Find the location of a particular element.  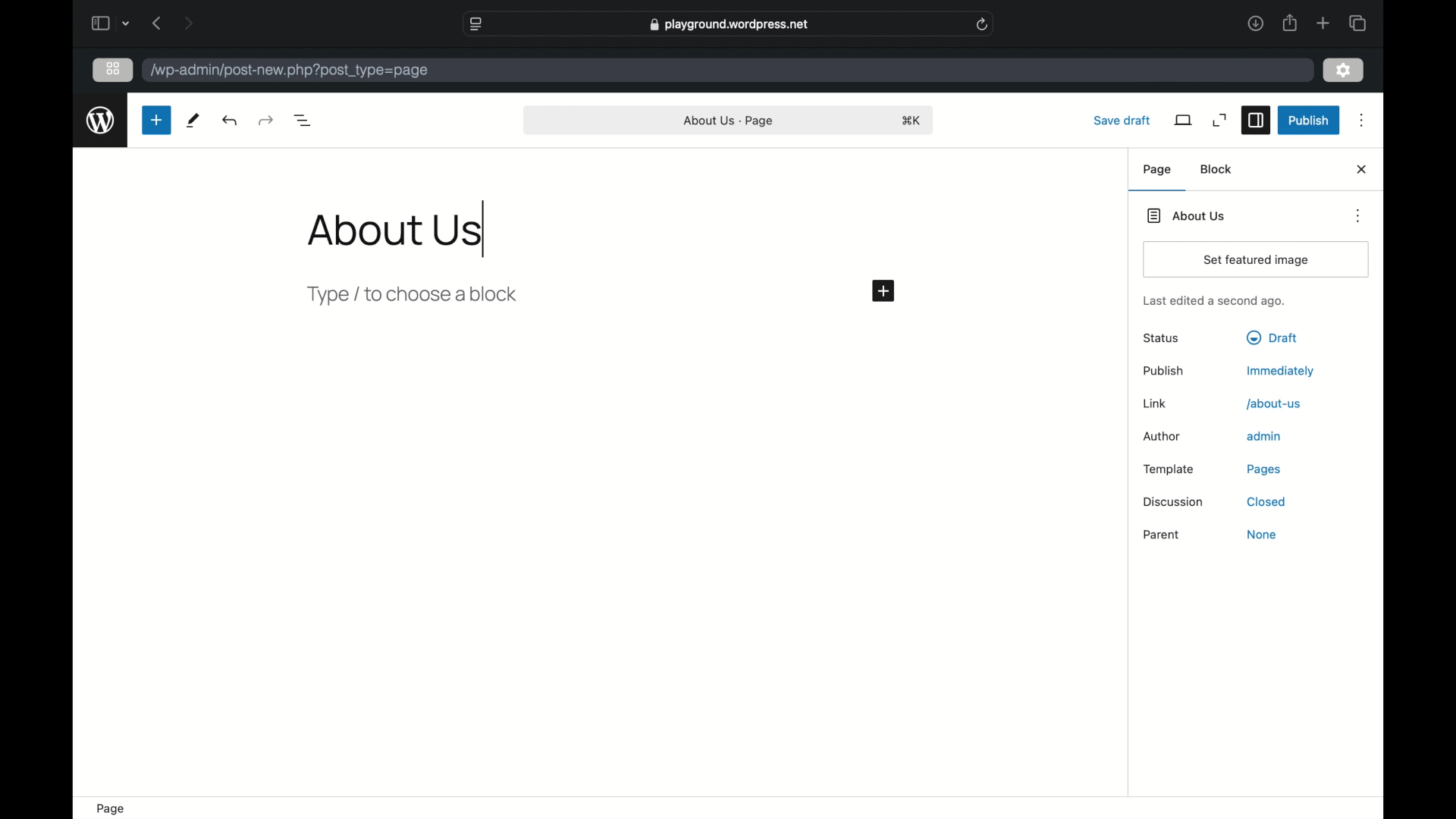

author is located at coordinates (1163, 438).